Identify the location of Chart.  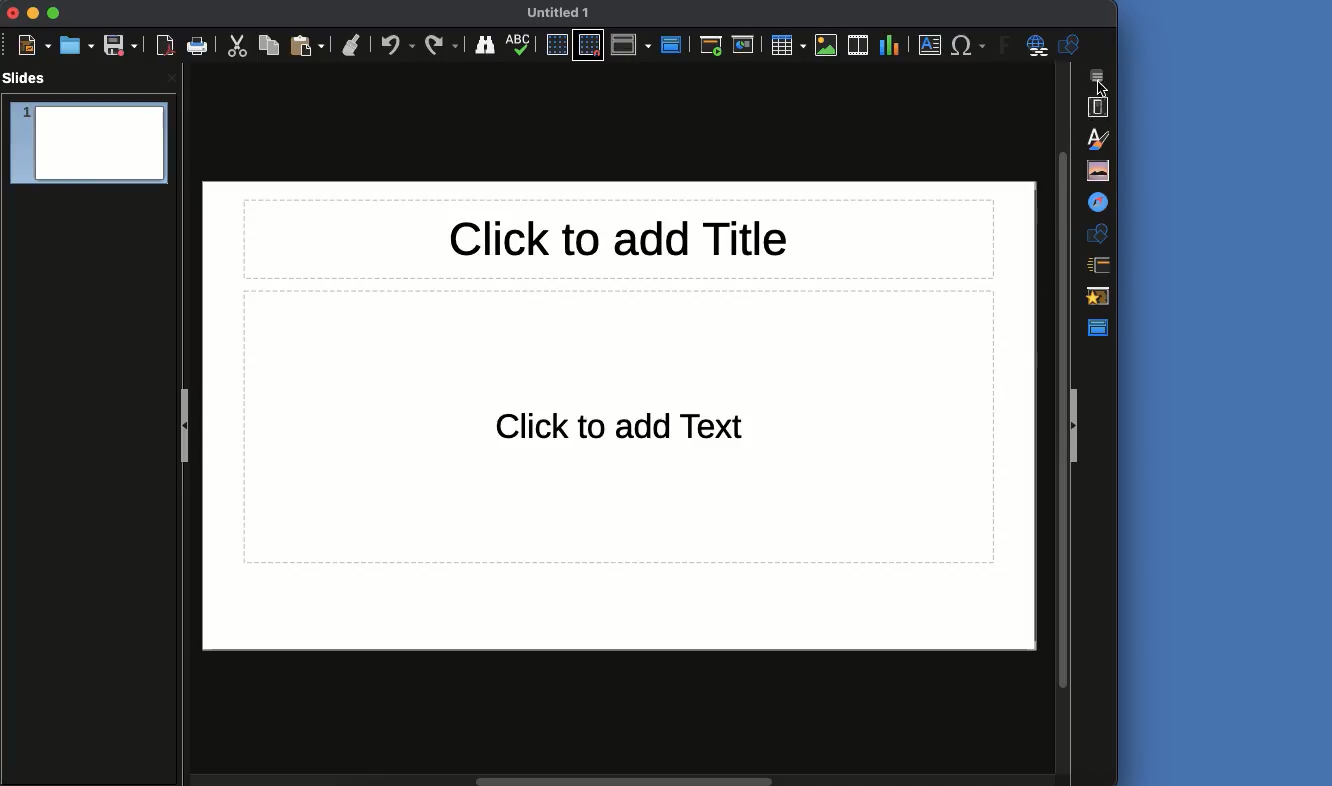
(889, 44).